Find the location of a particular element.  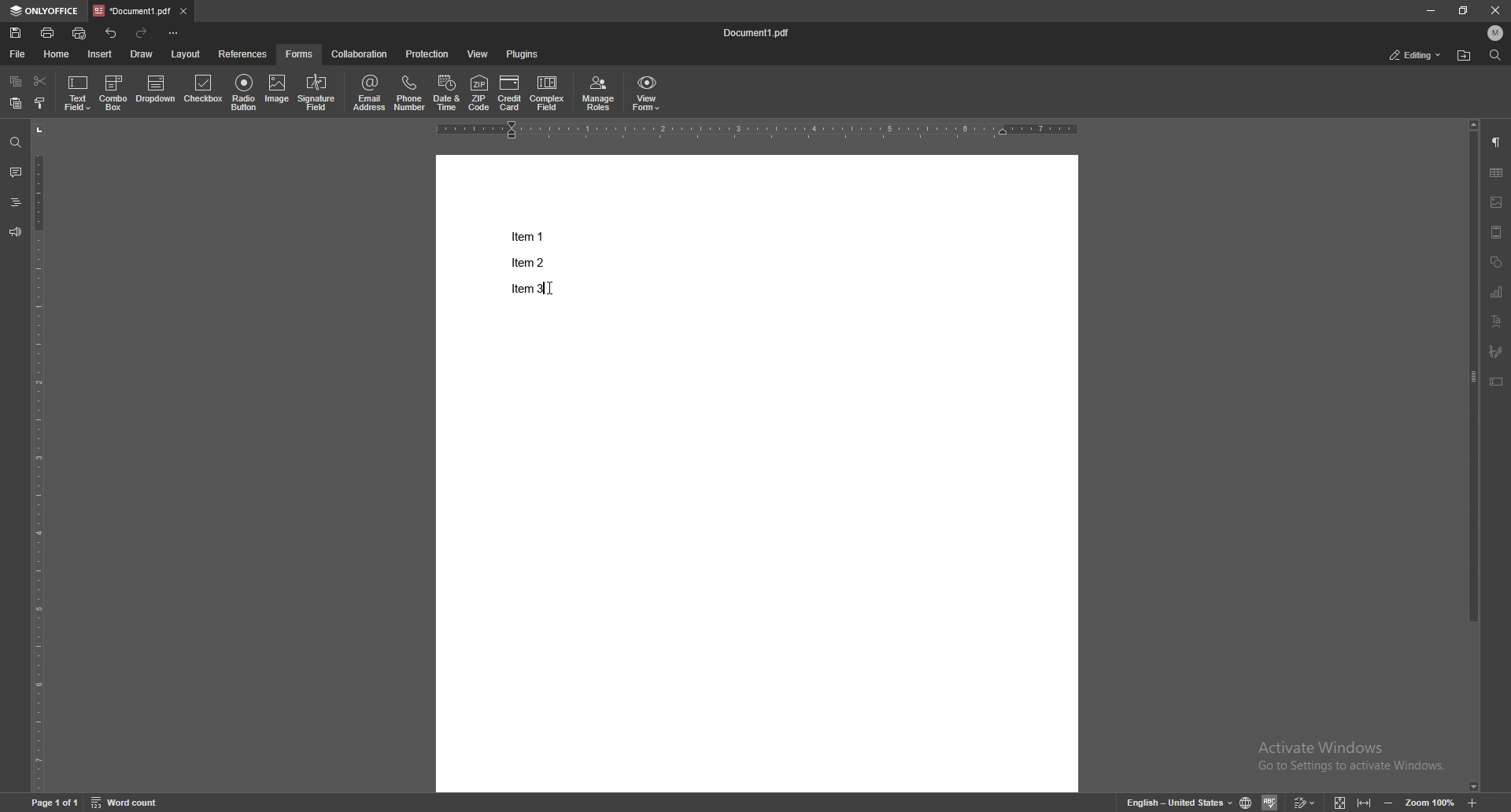

text box is located at coordinates (1498, 382).